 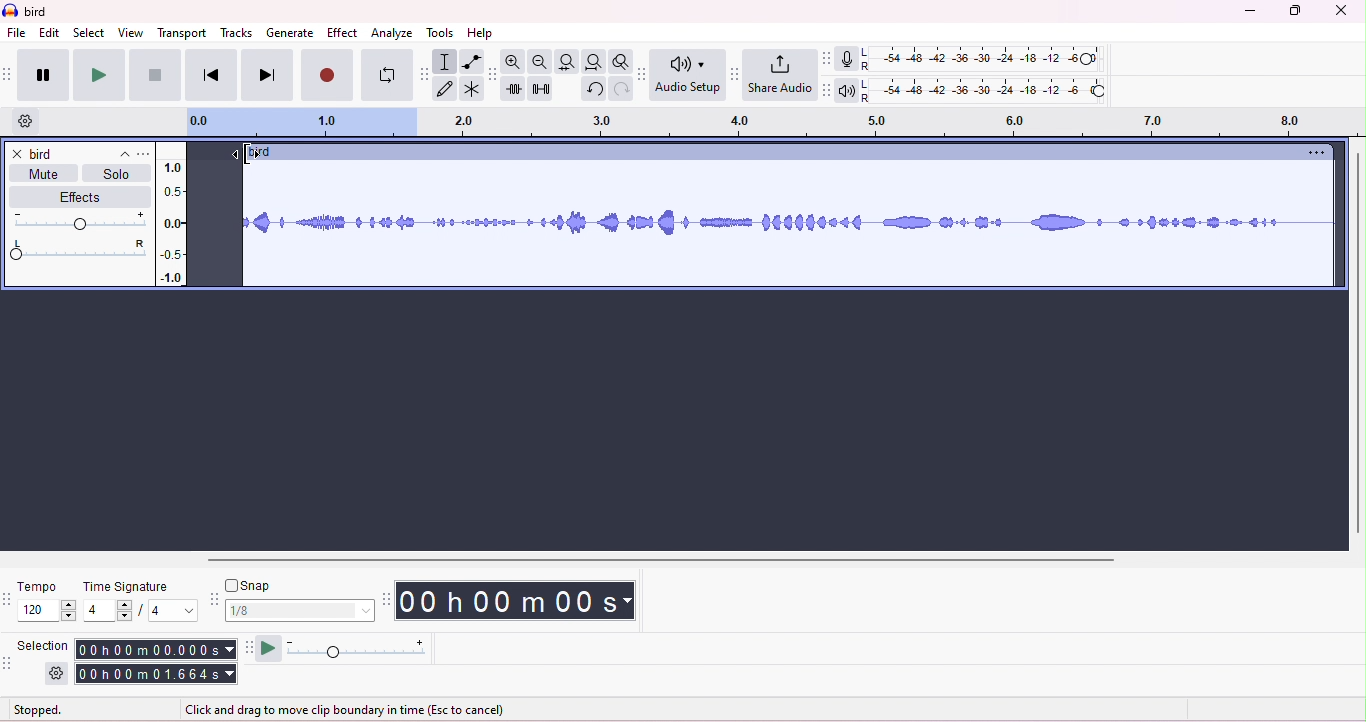 What do you see at coordinates (139, 612) in the screenshot?
I see `select time signature` at bounding box center [139, 612].